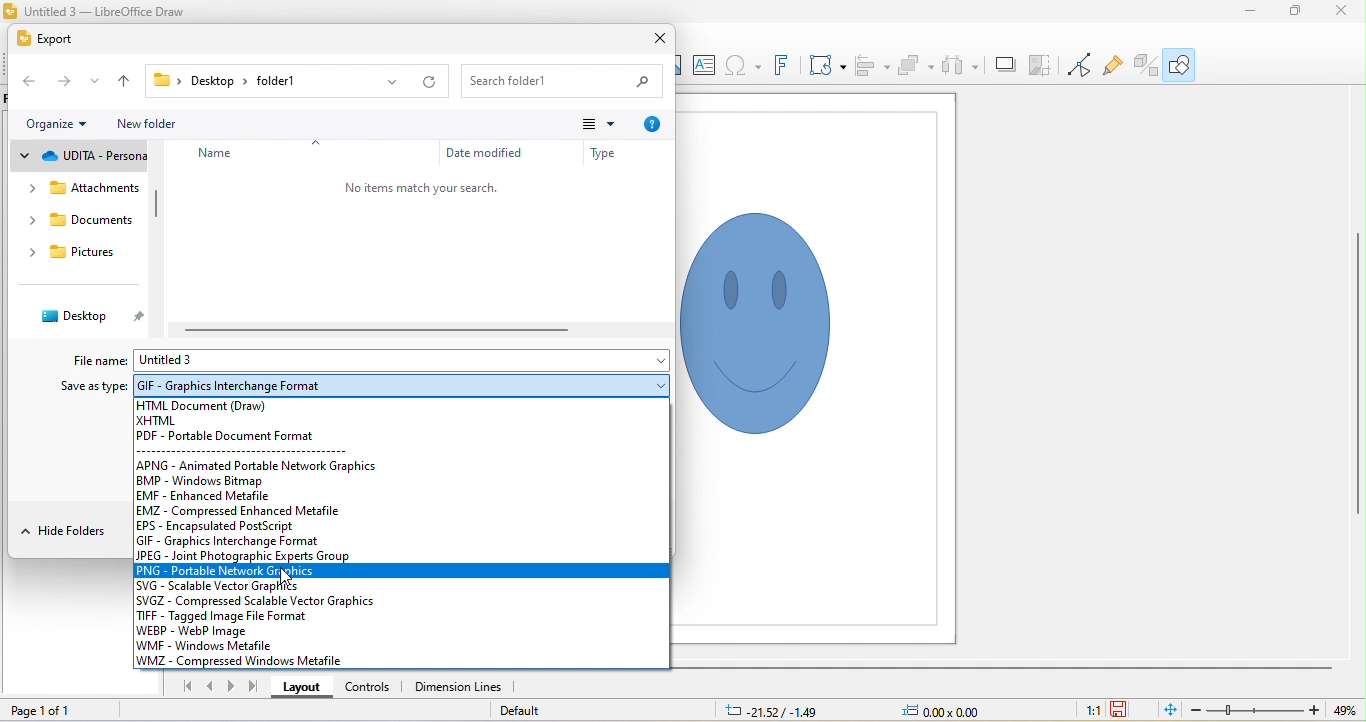 This screenshot has height=722, width=1366. Describe the element at coordinates (1003, 63) in the screenshot. I see `shadow` at that location.